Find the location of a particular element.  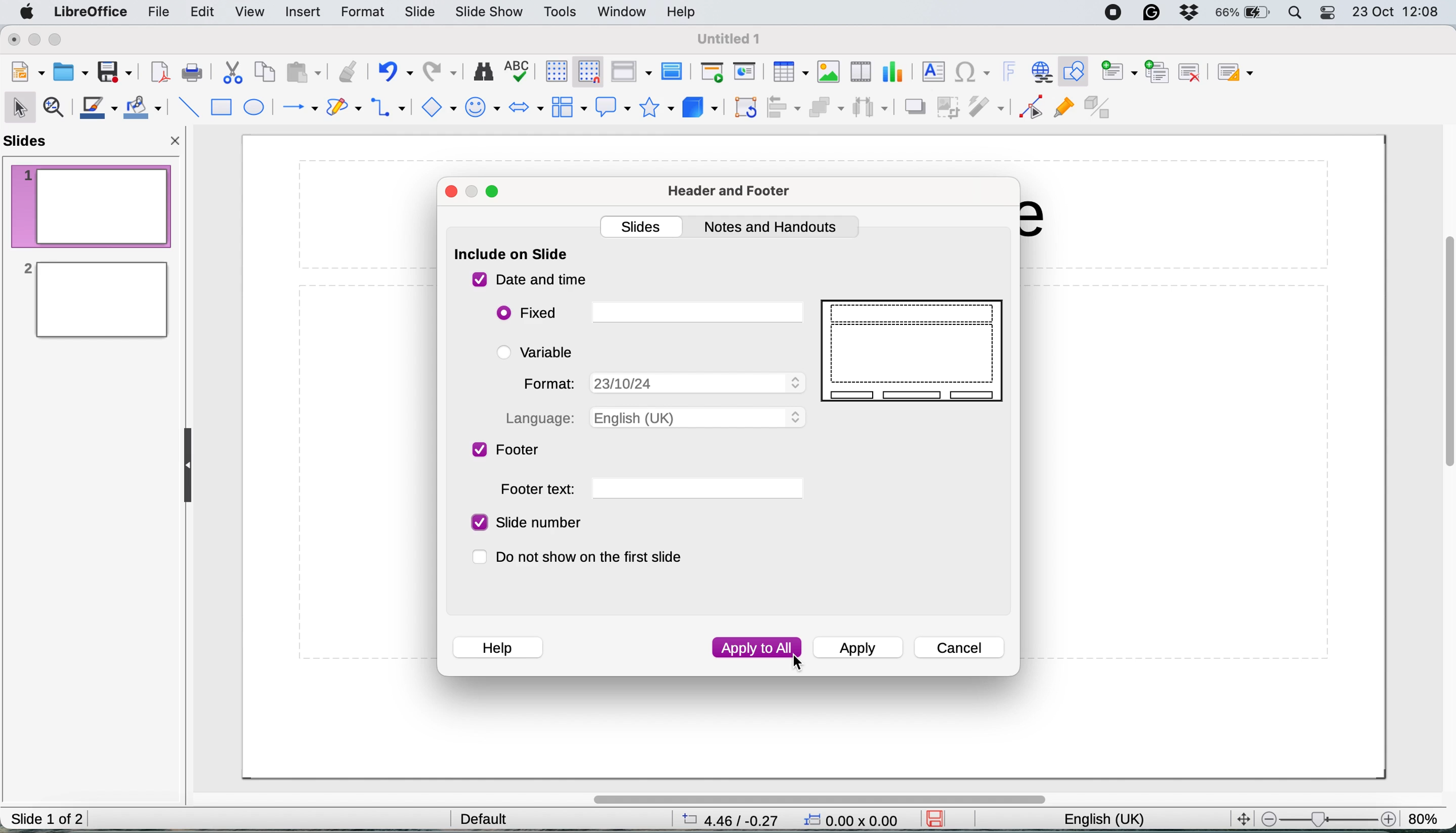

fill color is located at coordinates (145, 108).